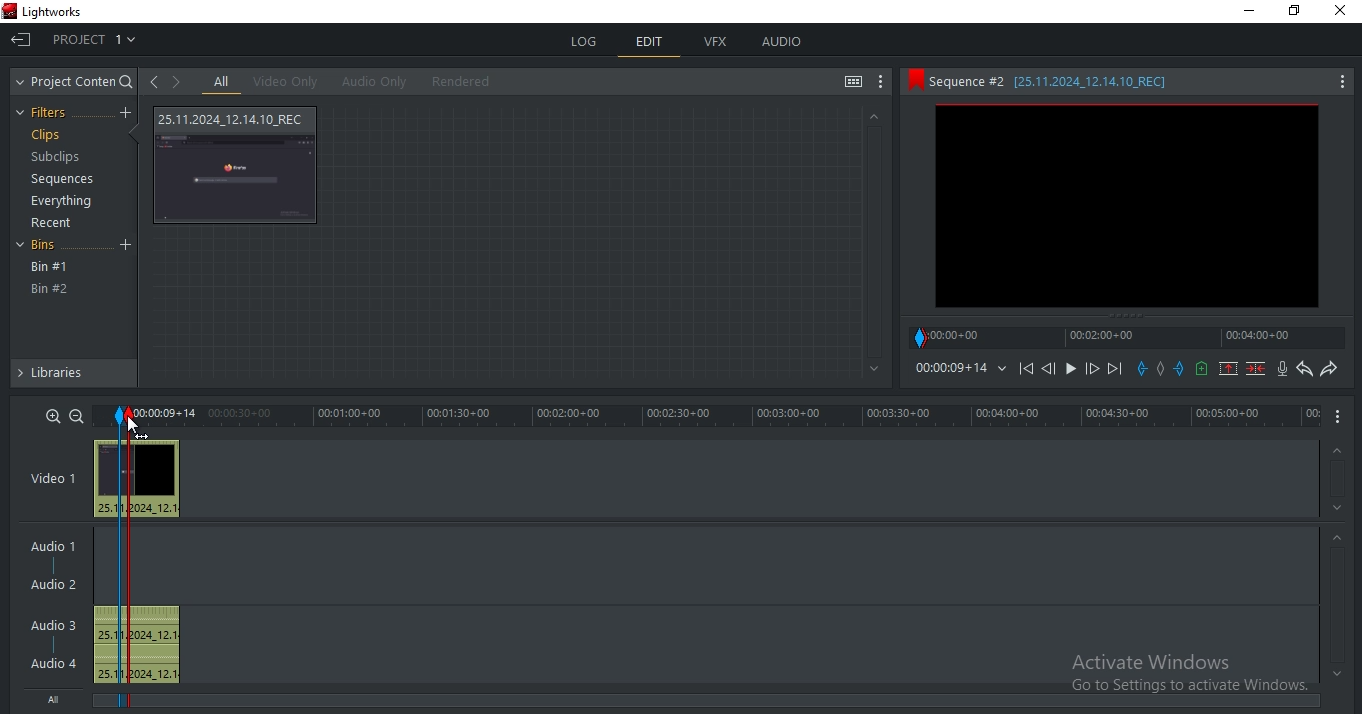  Describe the element at coordinates (1071, 368) in the screenshot. I see `Play` at that location.